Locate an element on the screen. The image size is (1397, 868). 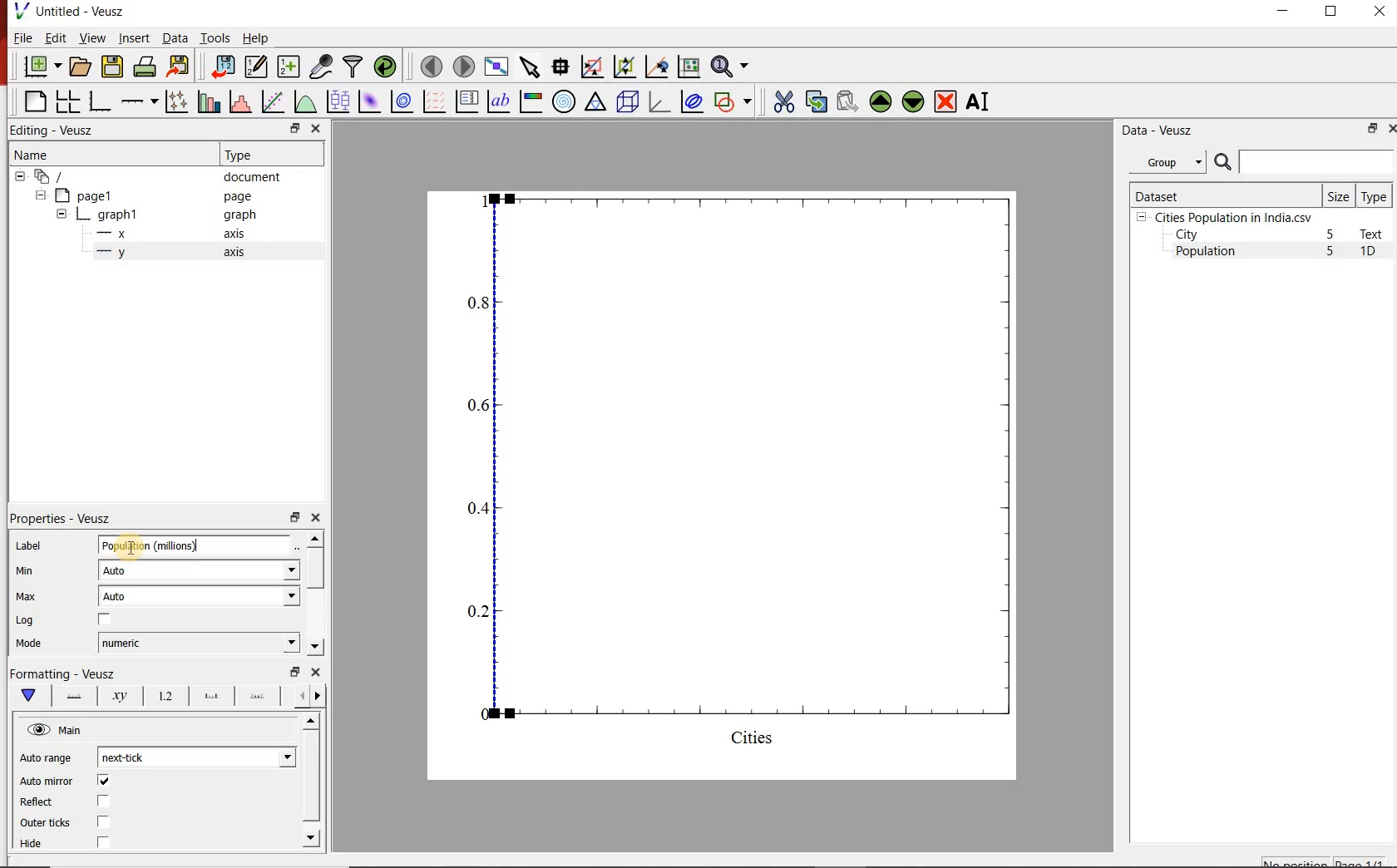
Properties - Veusz is located at coordinates (60, 519).